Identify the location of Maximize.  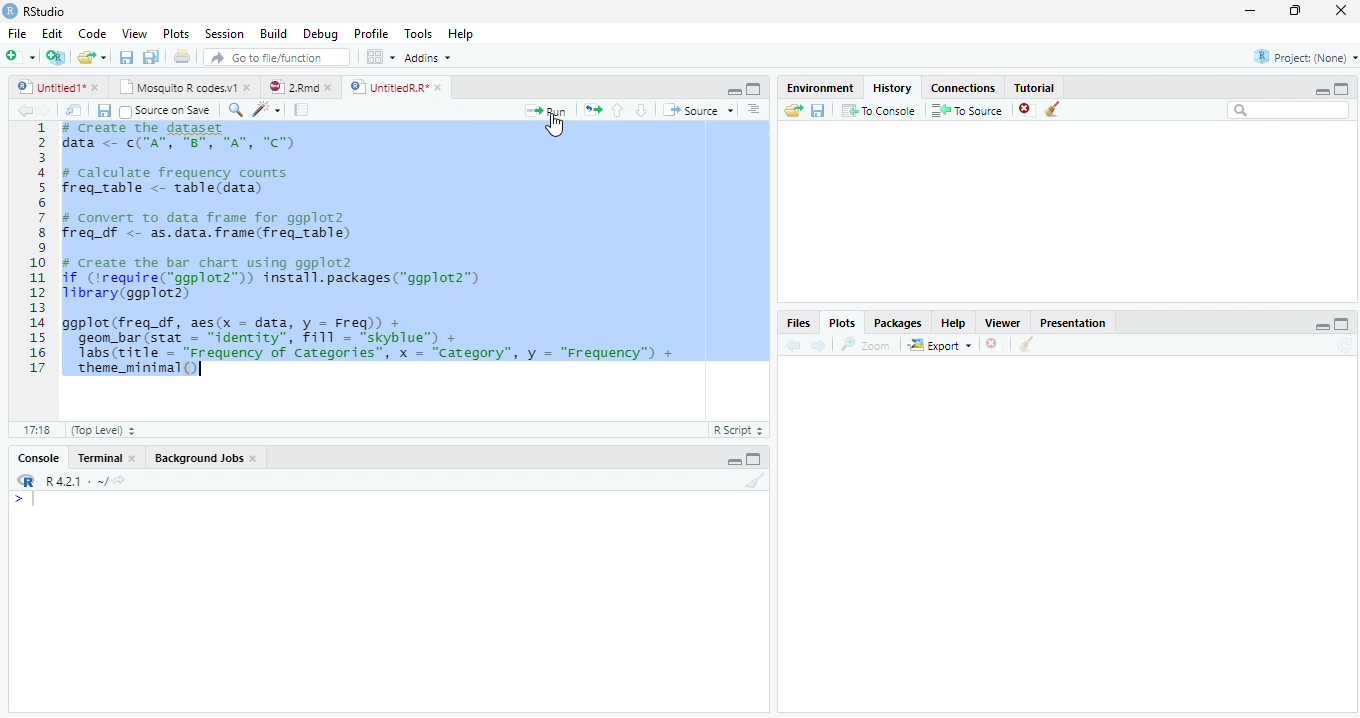
(753, 90).